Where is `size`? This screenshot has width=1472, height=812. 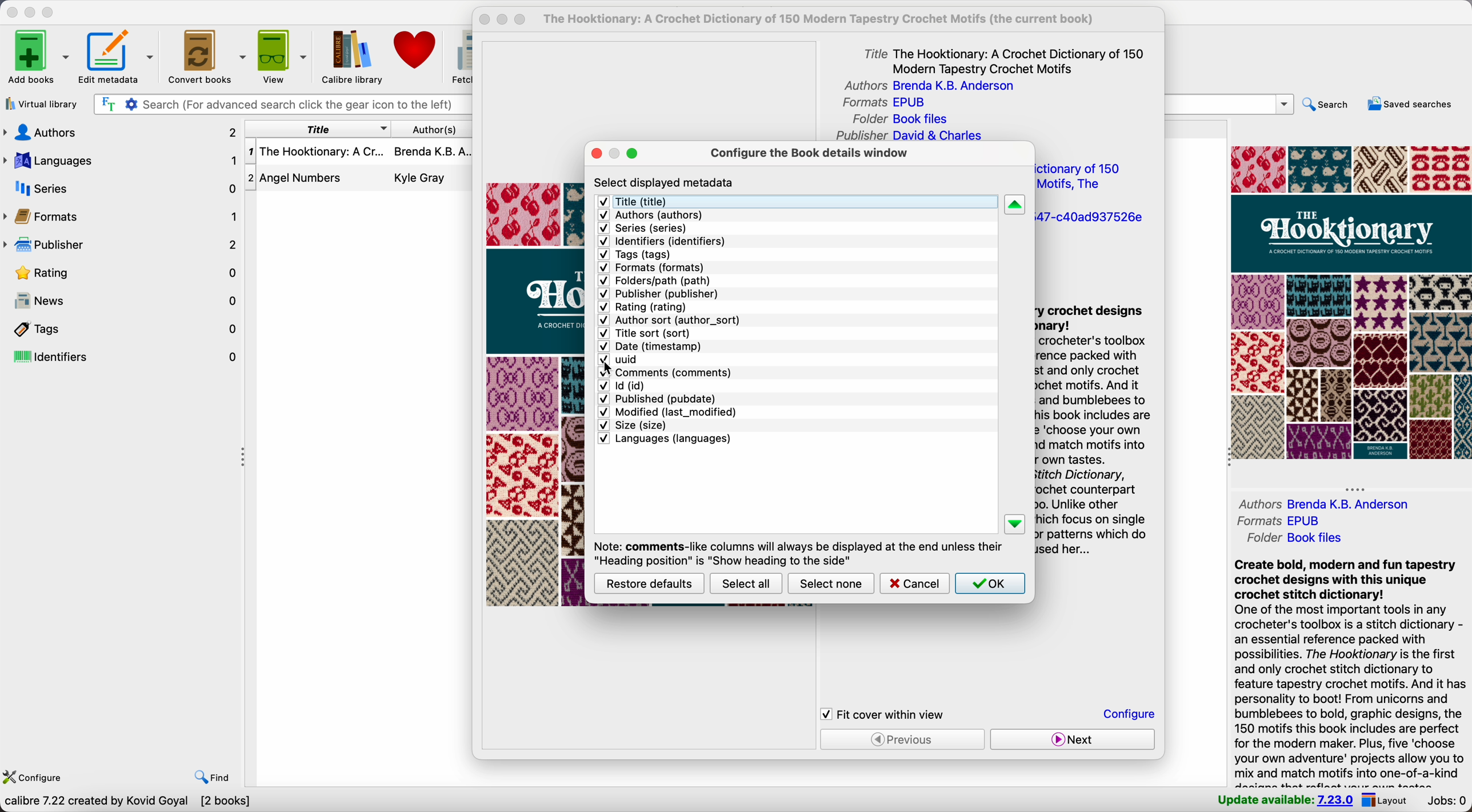
size is located at coordinates (631, 425).